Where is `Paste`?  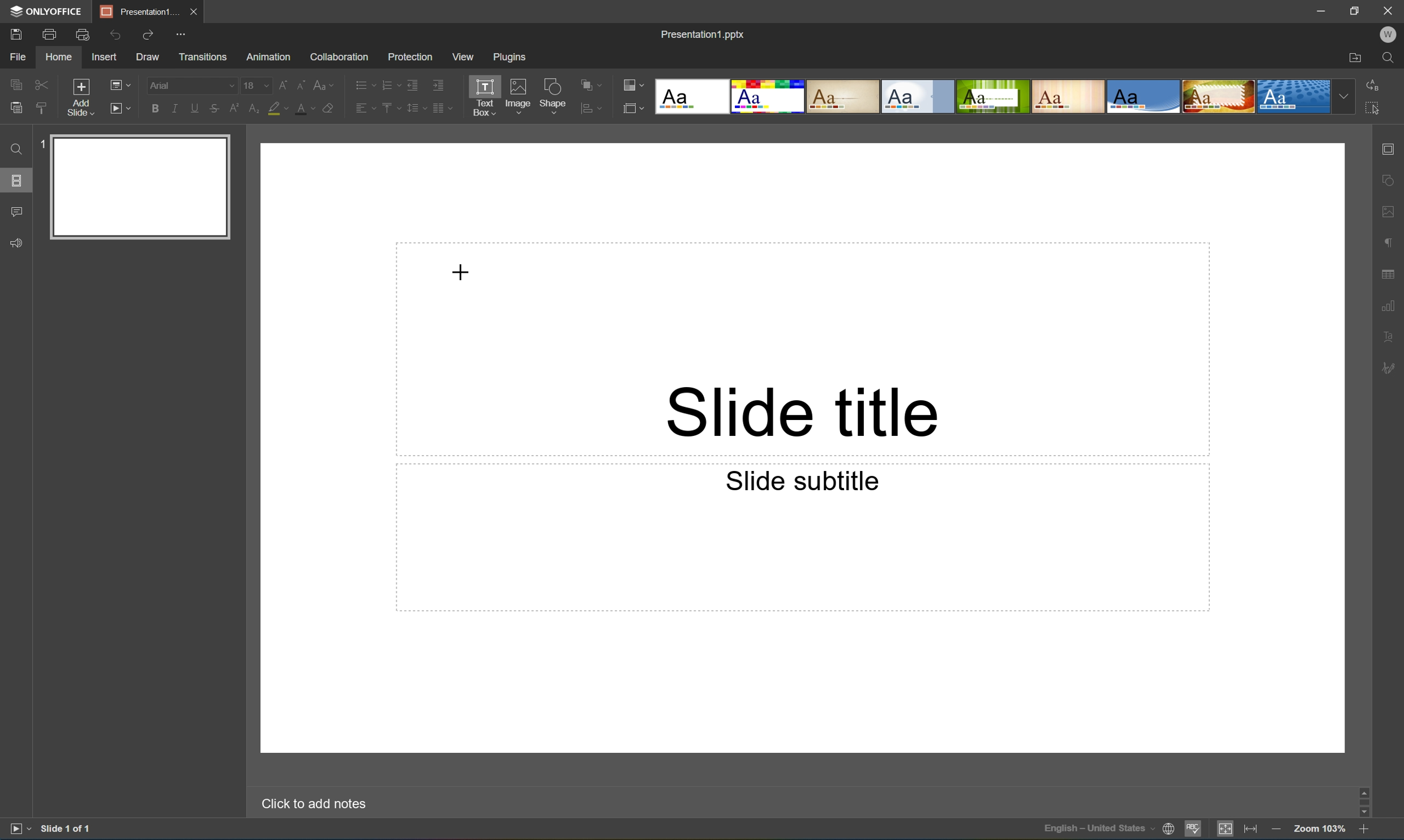
Paste is located at coordinates (13, 108).